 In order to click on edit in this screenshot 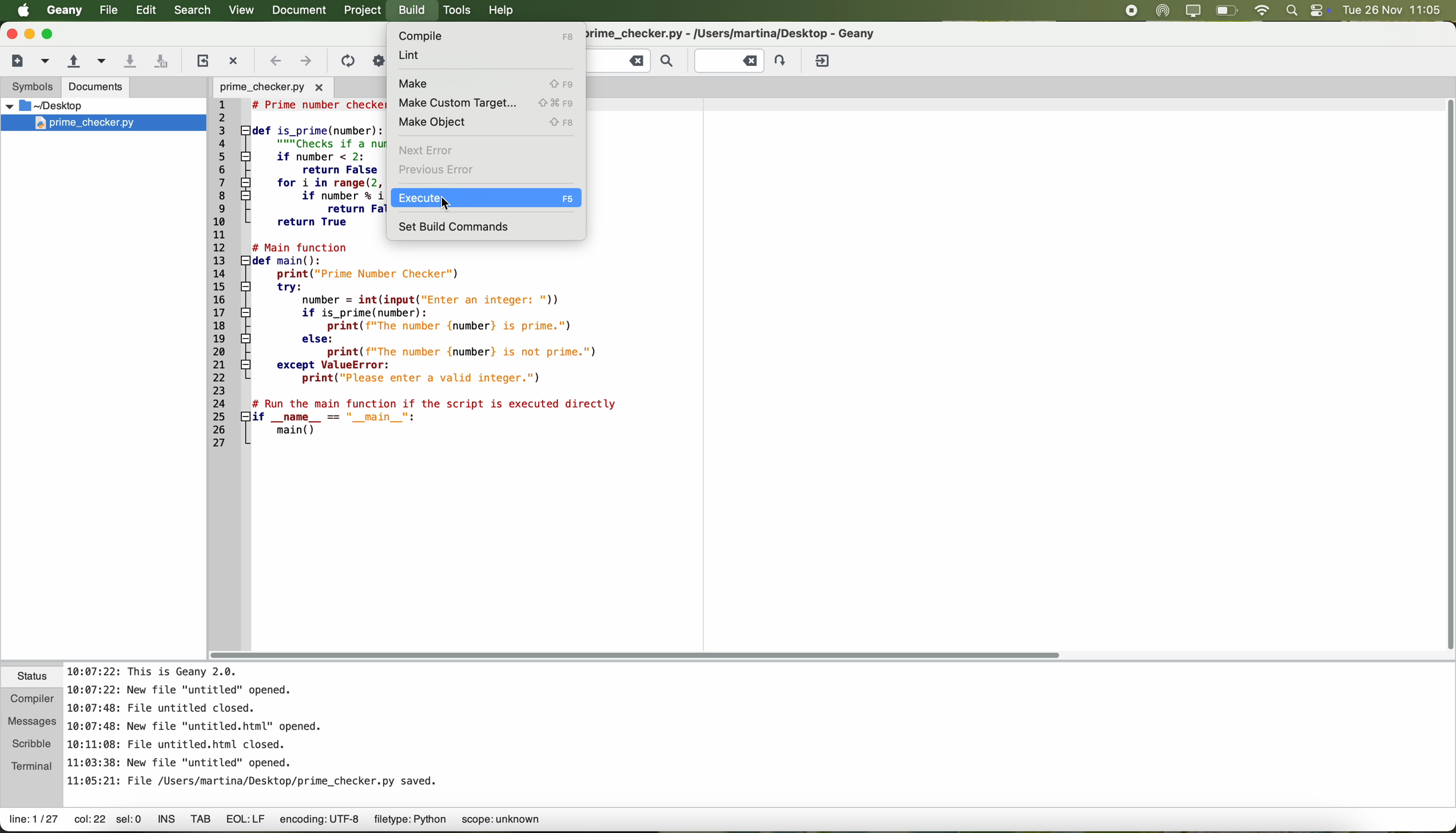, I will do `click(146, 11)`.